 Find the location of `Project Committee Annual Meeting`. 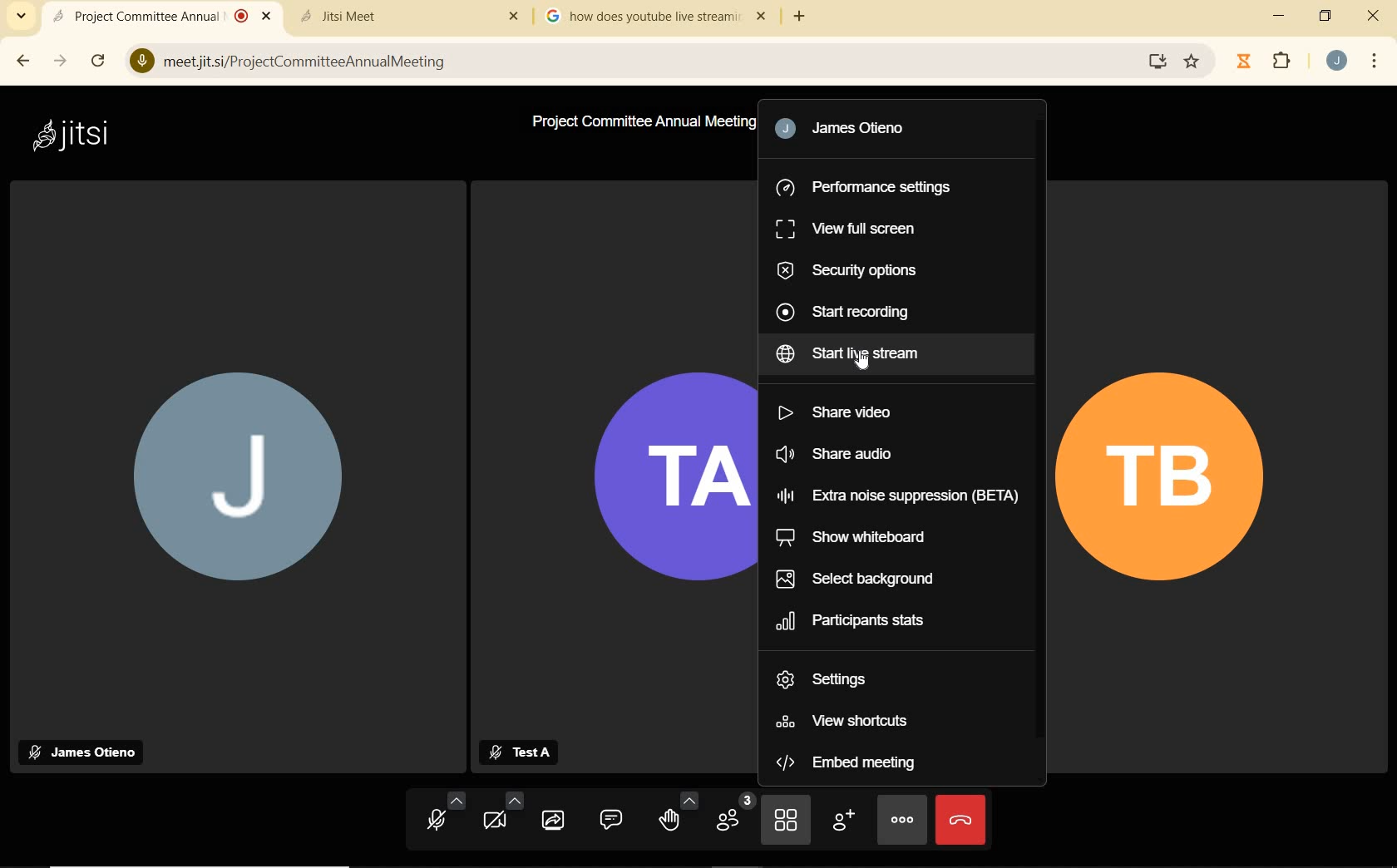

Project Committee Annual Meeting is located at coordinates (639, 121).